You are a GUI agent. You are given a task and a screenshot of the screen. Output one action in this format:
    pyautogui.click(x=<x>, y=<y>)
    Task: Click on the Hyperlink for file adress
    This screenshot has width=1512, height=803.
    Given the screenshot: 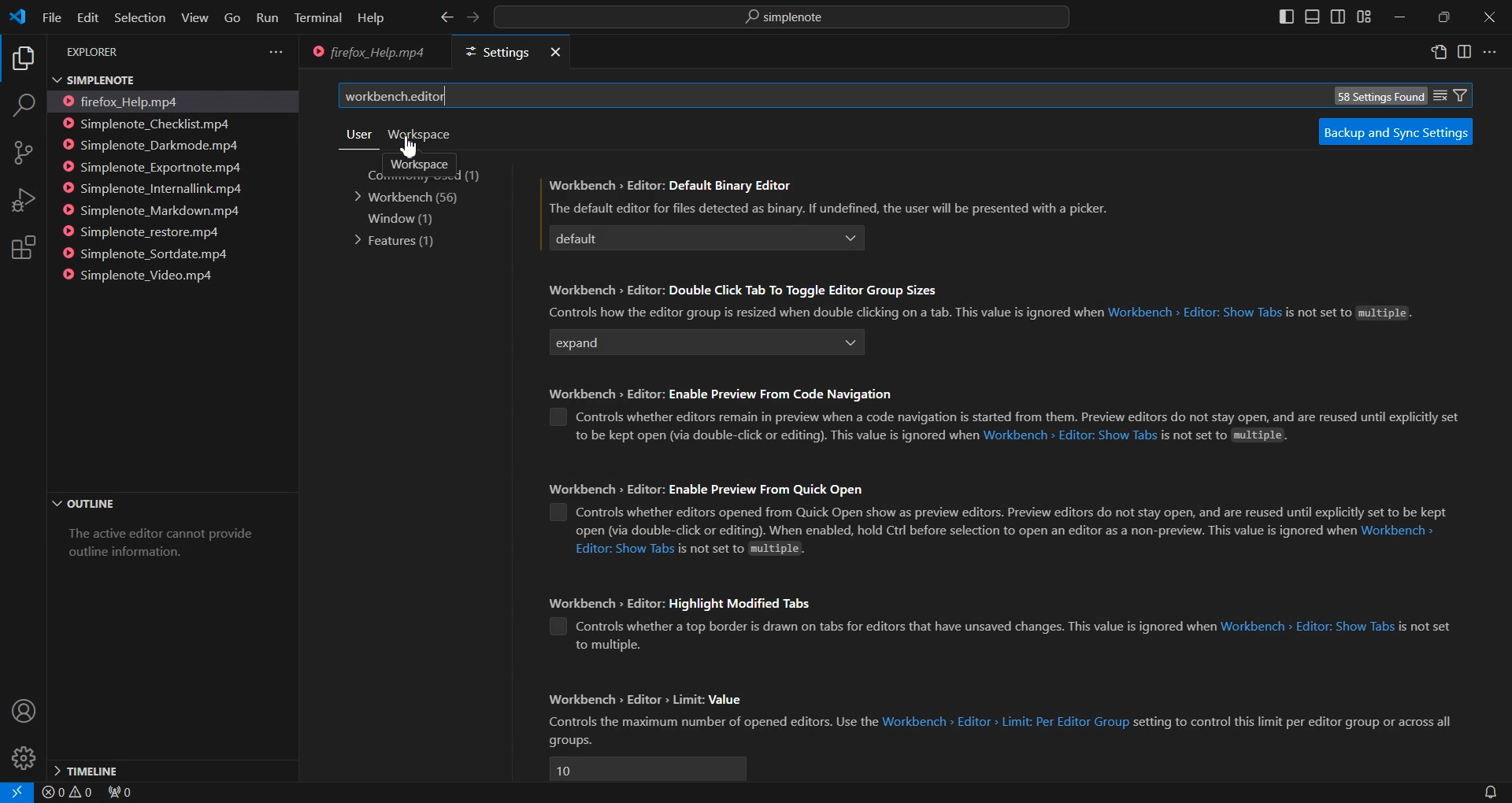 What is the action you would take?
    pyautogui.click(x=1195, y=314)
    